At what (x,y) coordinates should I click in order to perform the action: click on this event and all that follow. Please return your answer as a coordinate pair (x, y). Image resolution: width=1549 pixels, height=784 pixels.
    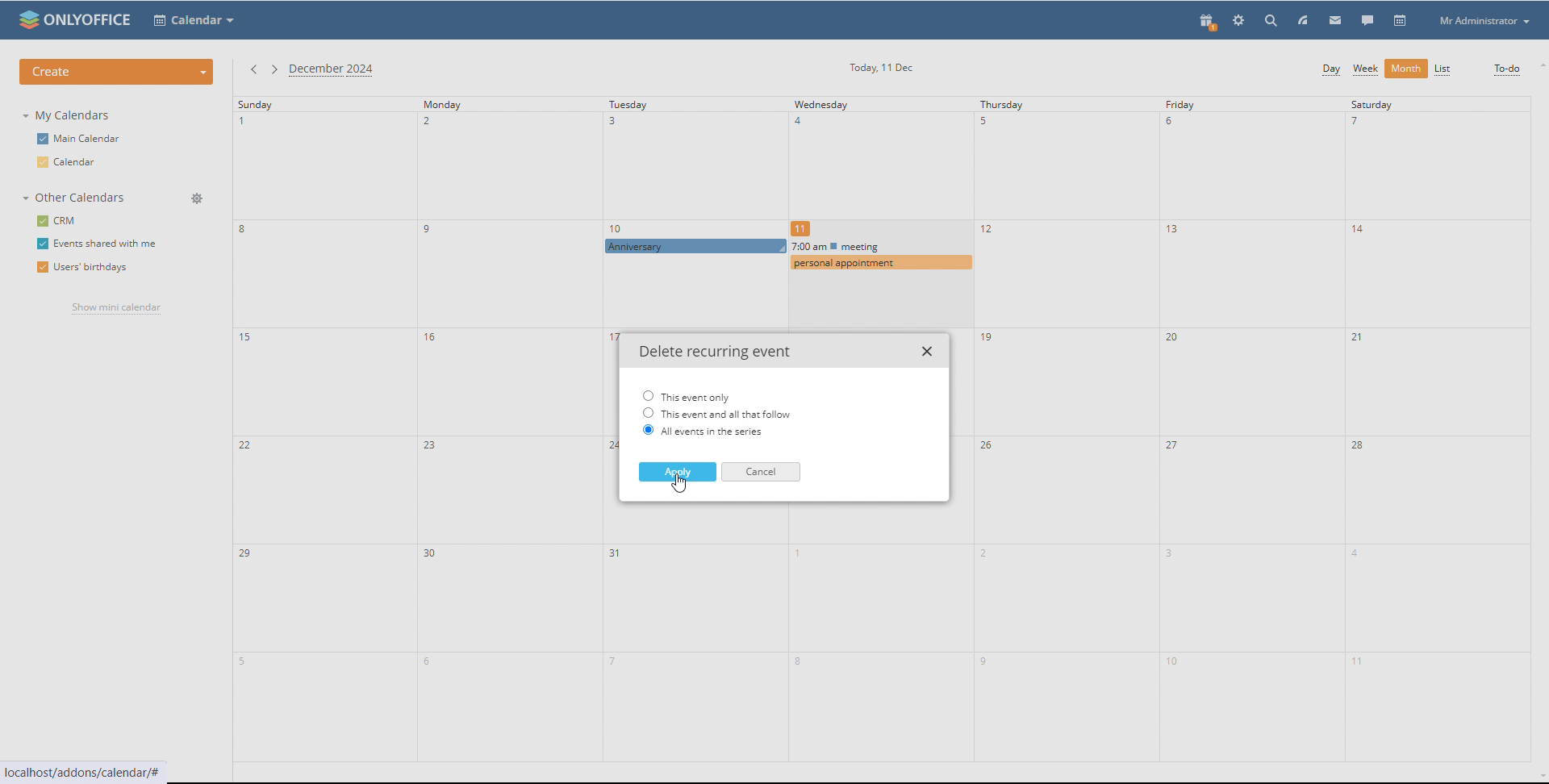
    Looking at the image, I should click on (717, 413).